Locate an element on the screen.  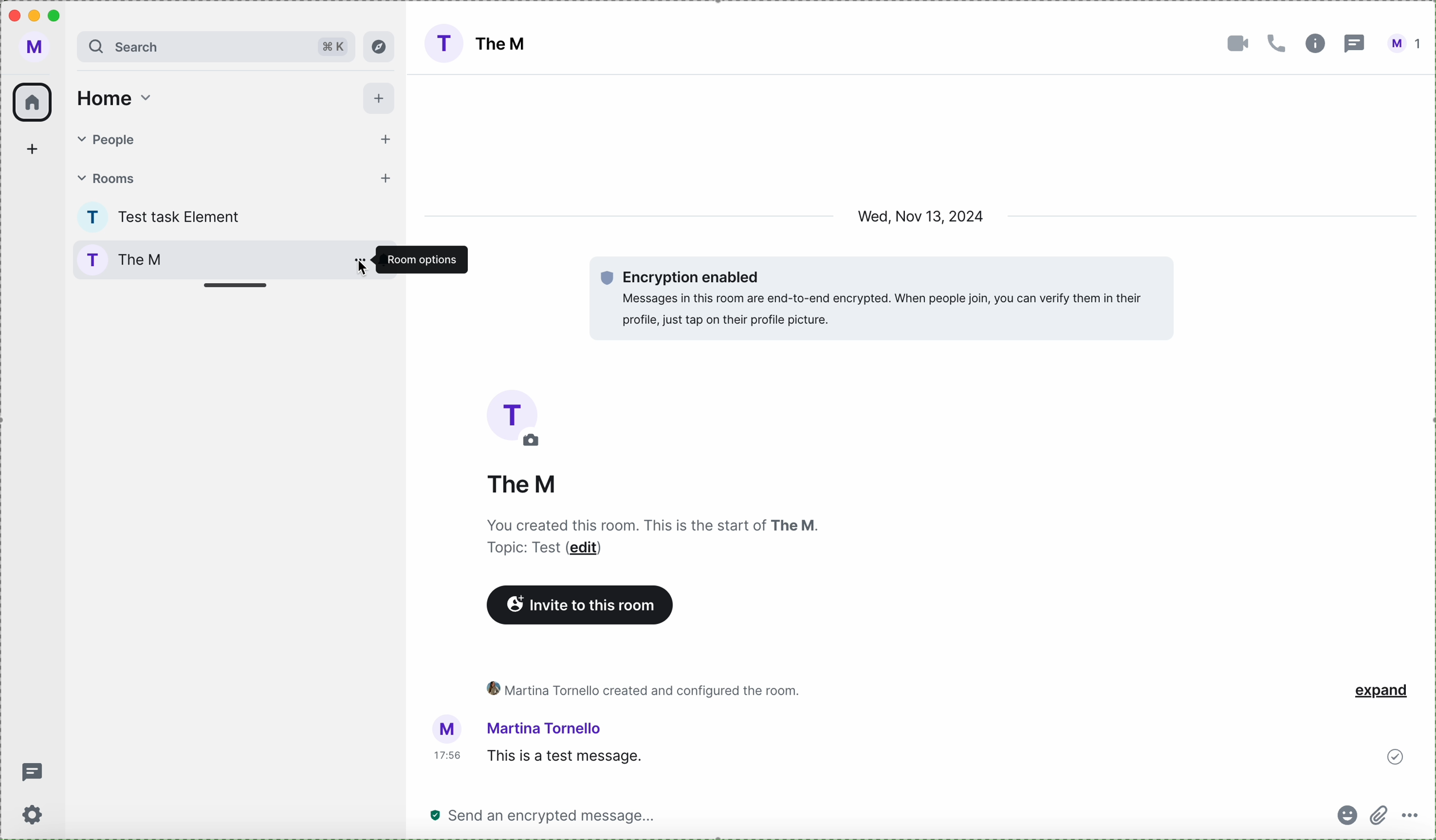
information room is located at coordinates (1316, 44).